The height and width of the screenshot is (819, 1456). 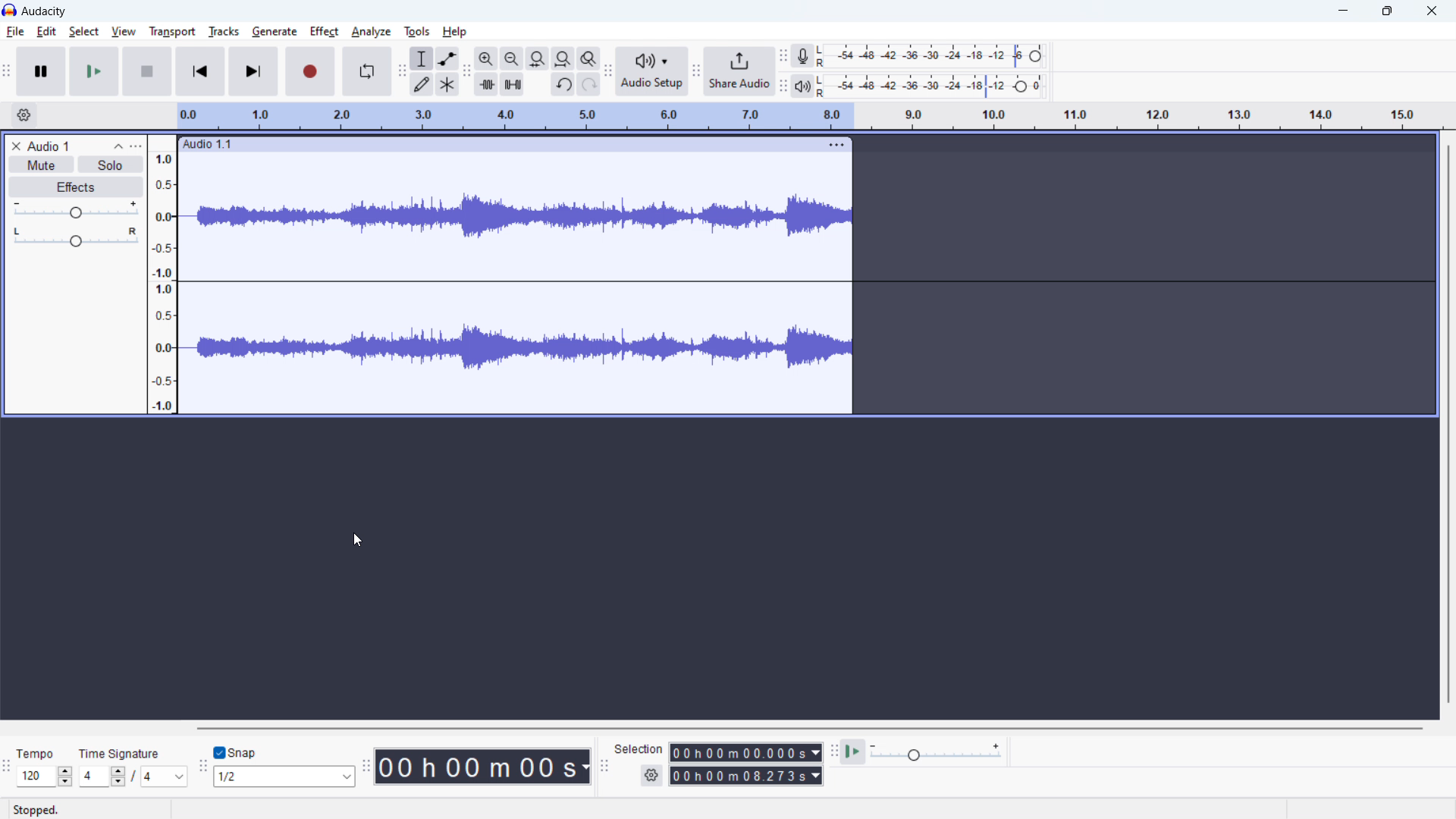 I want to click on playback meter toolbar, so click(x=783, y=84).